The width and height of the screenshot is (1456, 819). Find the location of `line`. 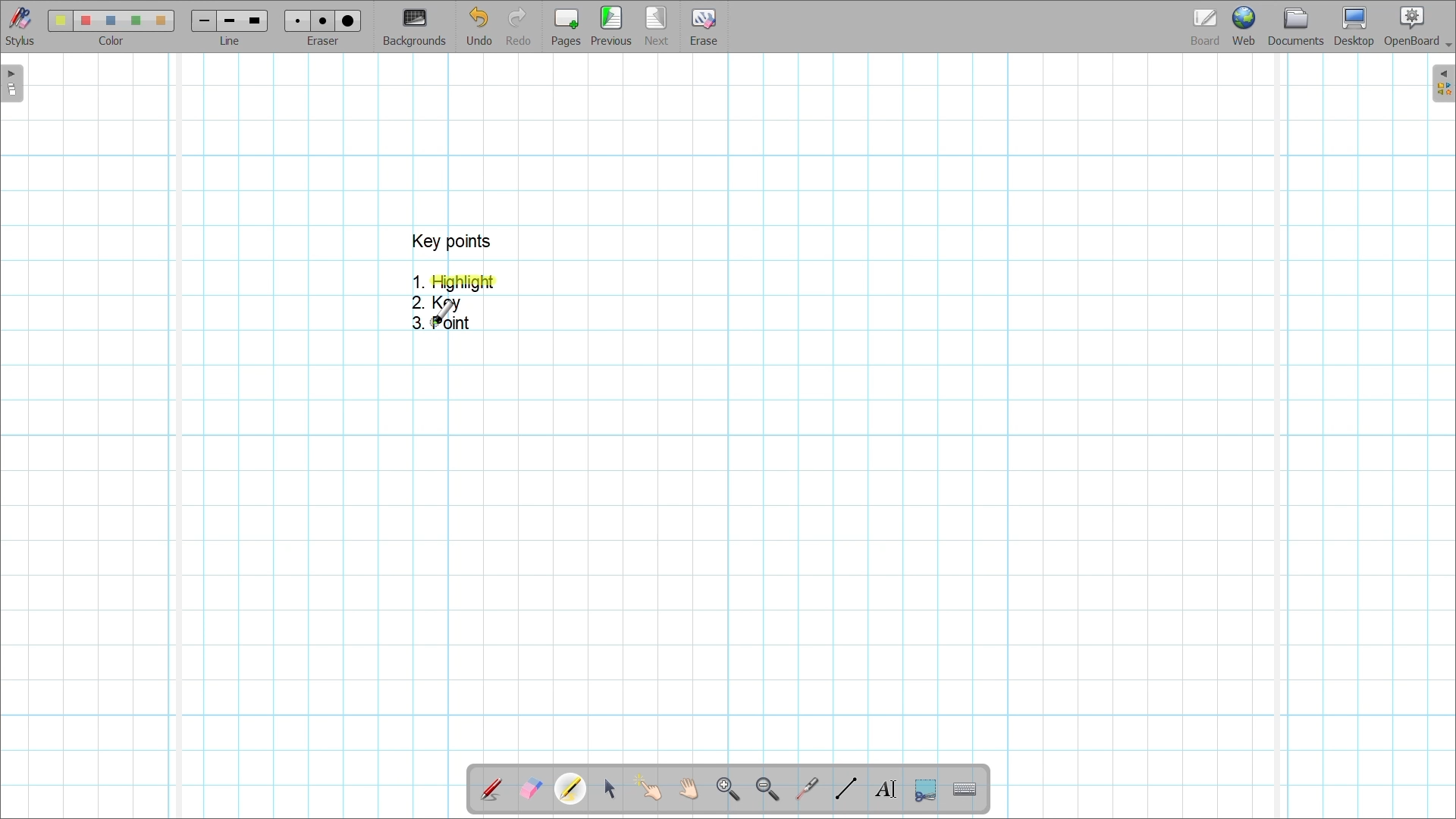

line is located at coordinates (234, 42).